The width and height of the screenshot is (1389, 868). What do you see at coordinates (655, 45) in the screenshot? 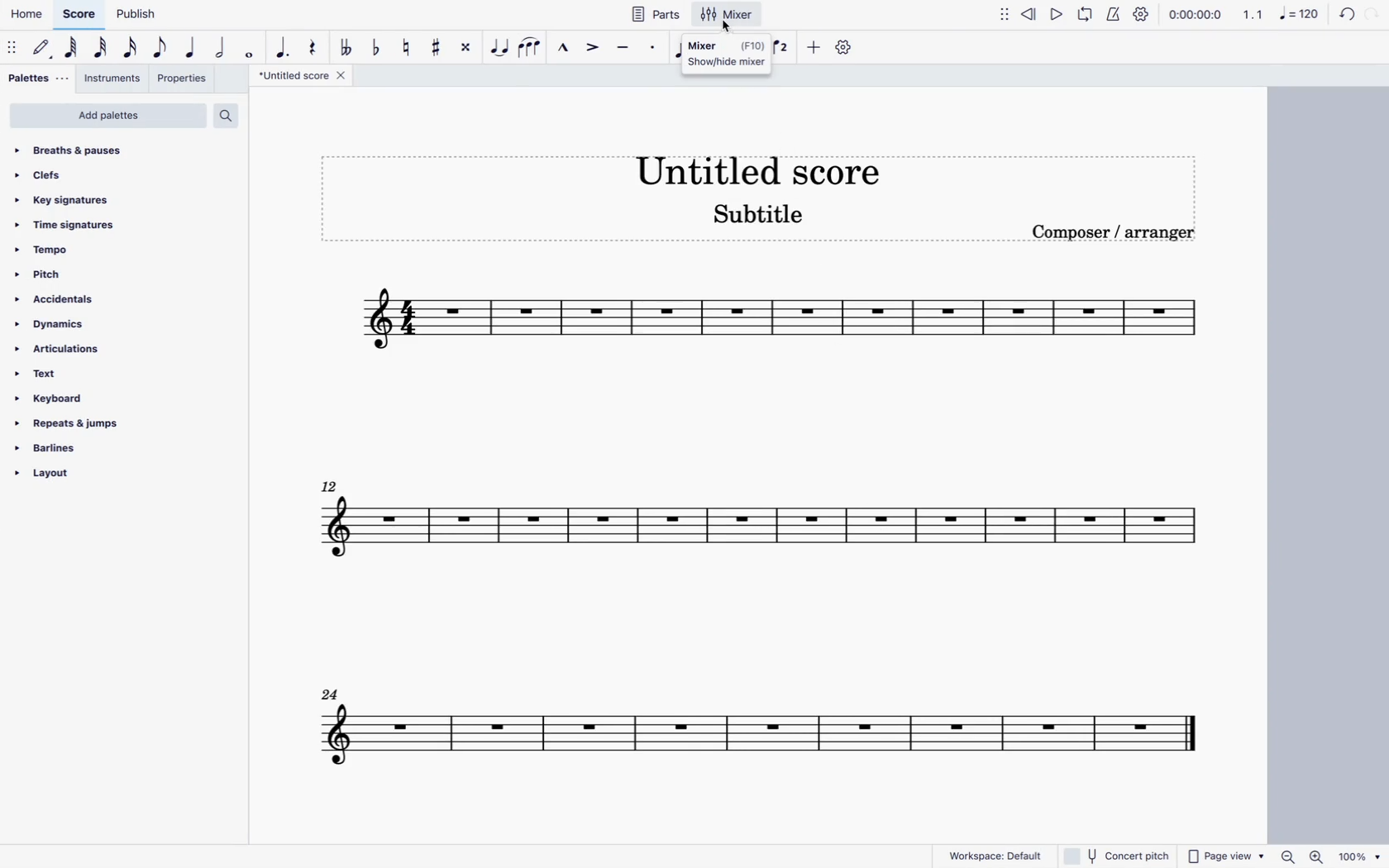
I see `Staccato ` at bounding box center [655, 45].